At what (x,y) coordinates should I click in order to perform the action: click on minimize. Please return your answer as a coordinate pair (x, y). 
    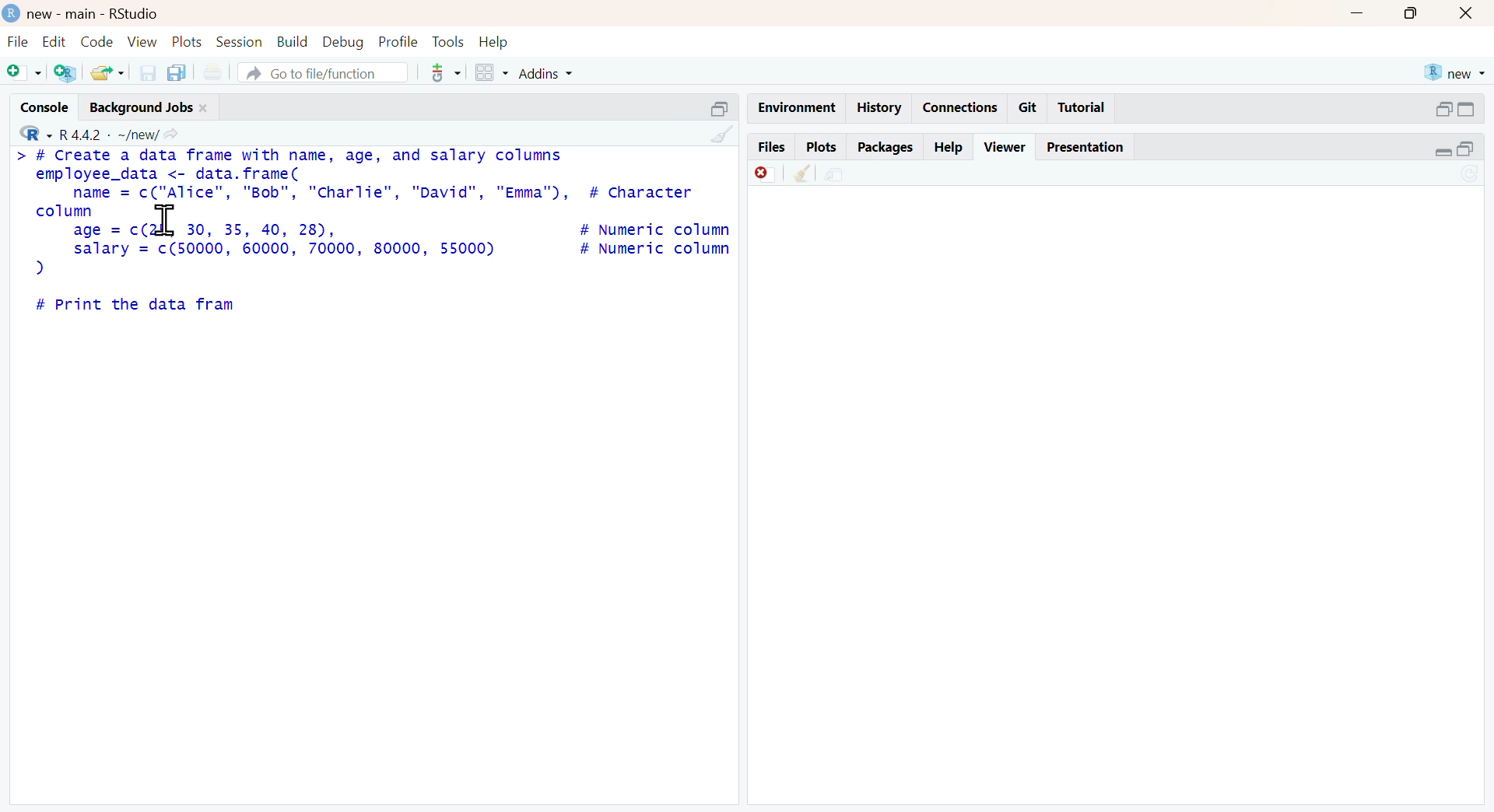
    Looking at the image, I should click on (721, 105).